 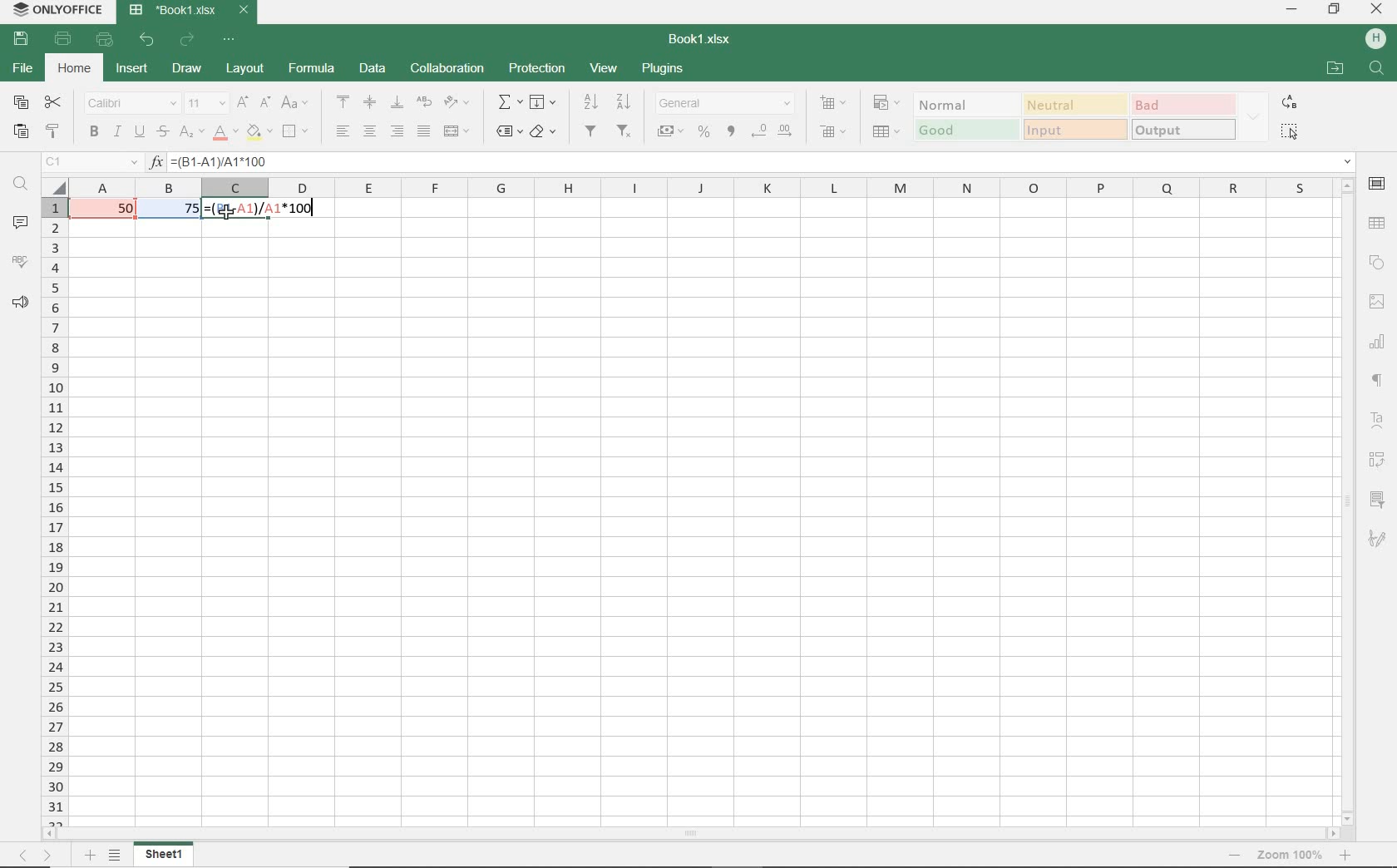 I want to click on change case, so click(x=295, y=103).